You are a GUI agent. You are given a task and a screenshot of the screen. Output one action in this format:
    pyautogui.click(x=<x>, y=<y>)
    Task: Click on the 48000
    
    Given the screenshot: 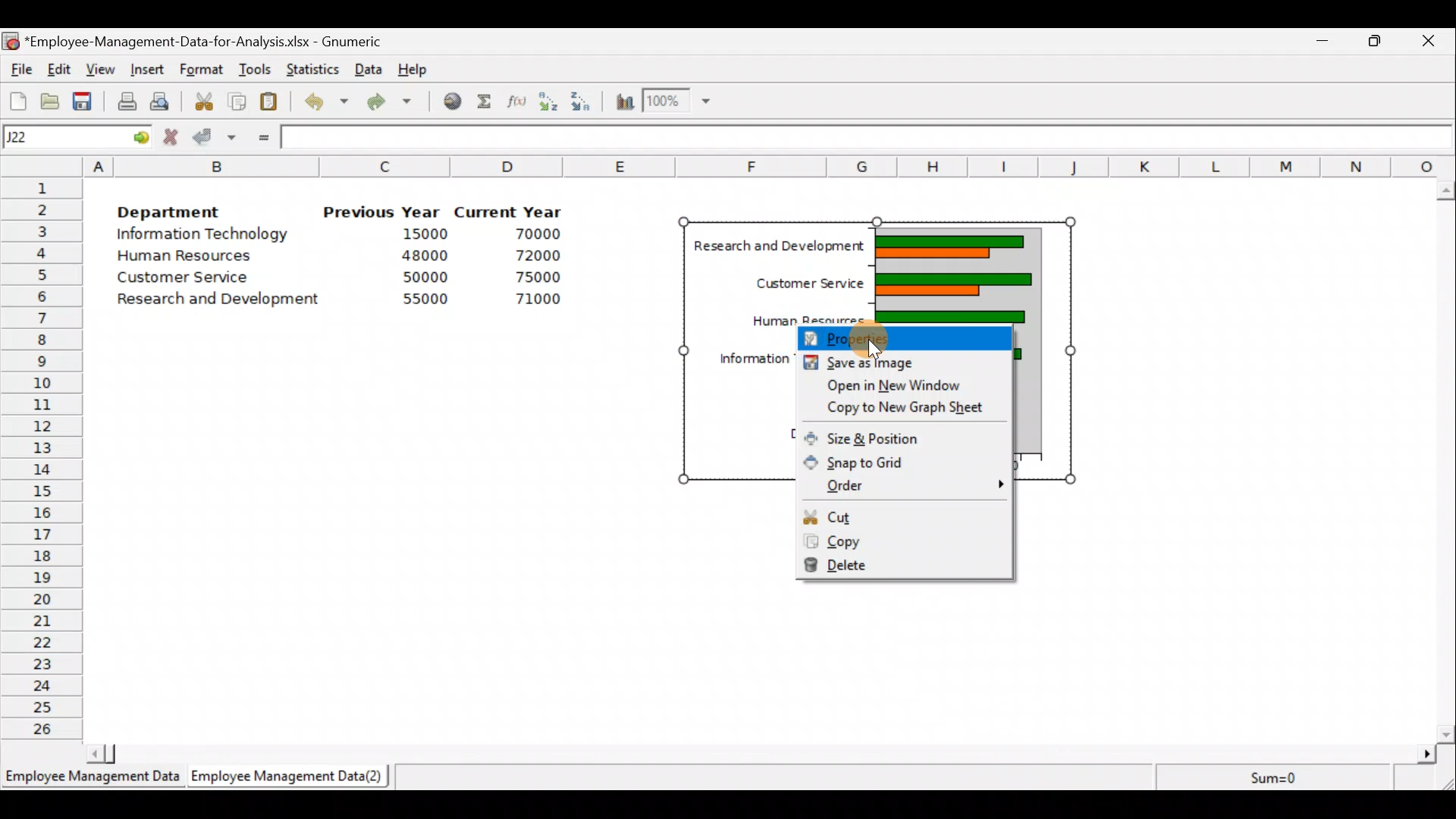 What is the action you would take?
    pyautogui.click(x=424, y=257)
    